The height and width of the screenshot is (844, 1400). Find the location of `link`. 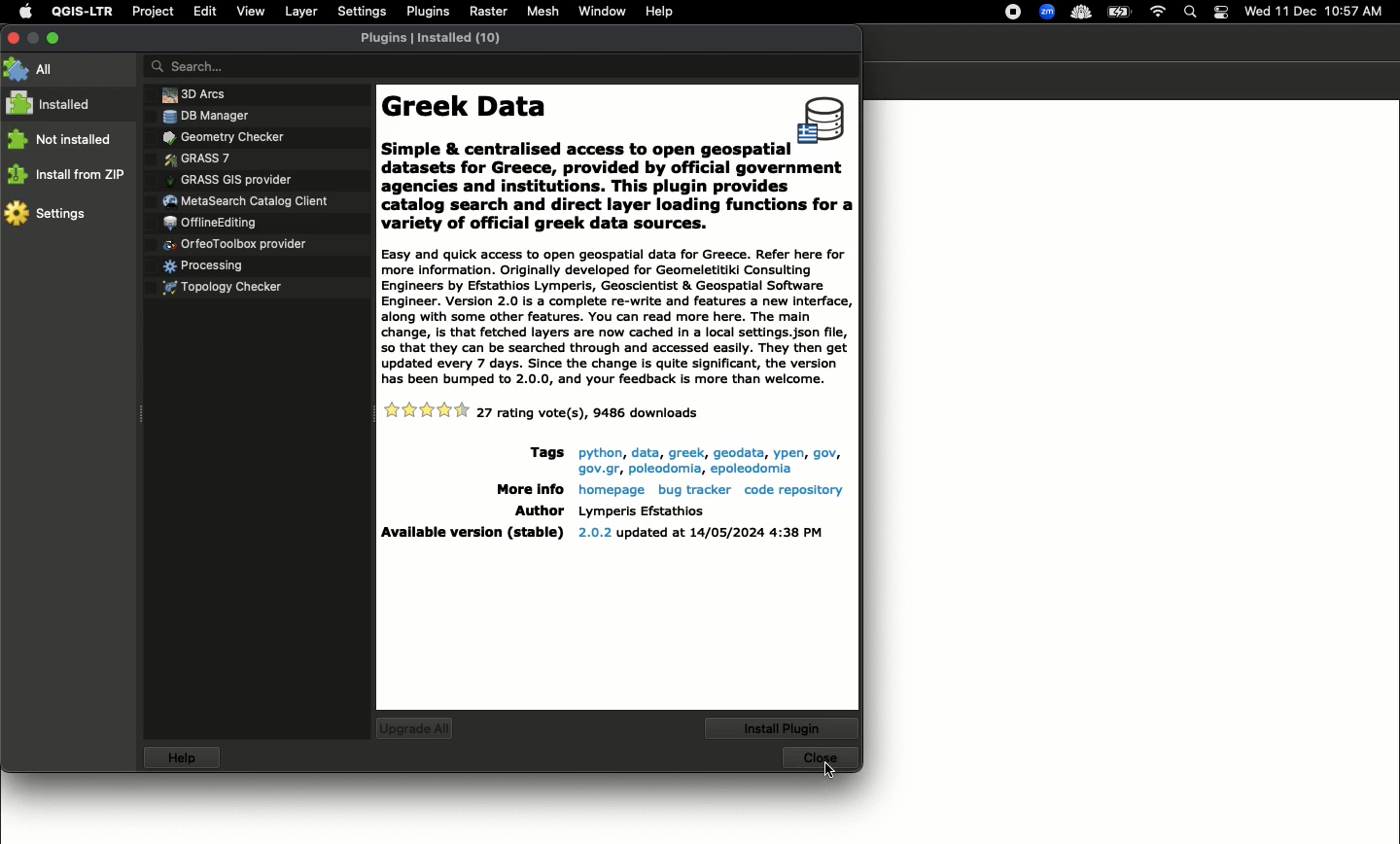

link is located at coordinates (665, 469).